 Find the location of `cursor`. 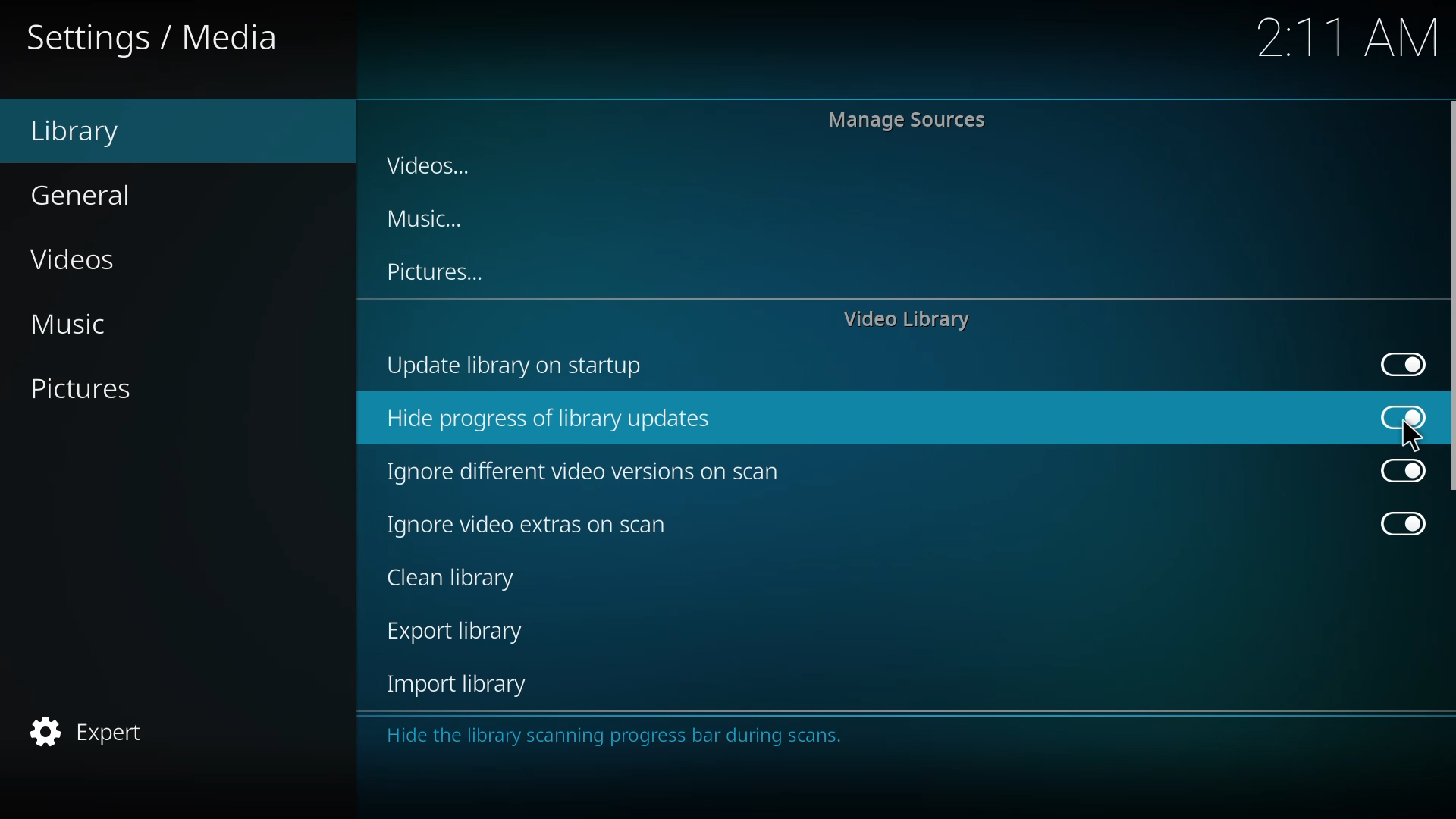

cursor is located at coordinates (1412, 435).